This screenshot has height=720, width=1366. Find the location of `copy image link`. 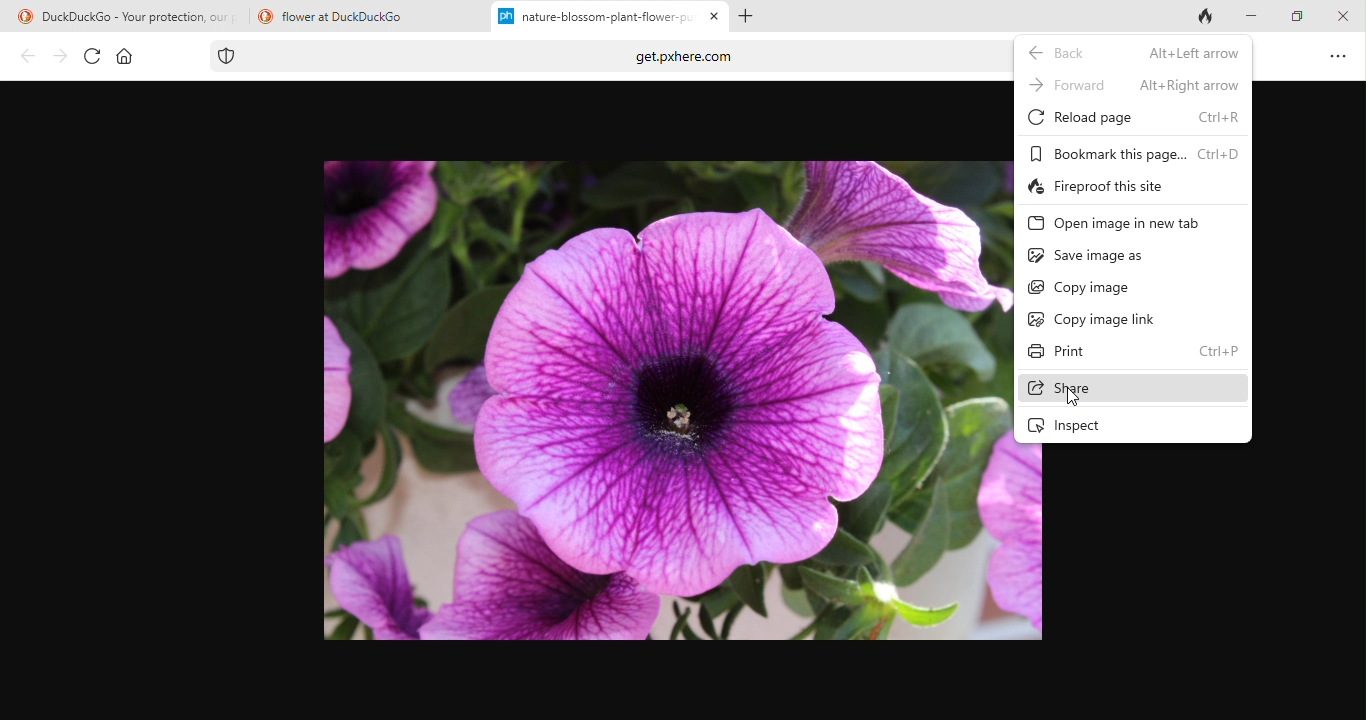

copy image link is located at coordinates (1099, 318).